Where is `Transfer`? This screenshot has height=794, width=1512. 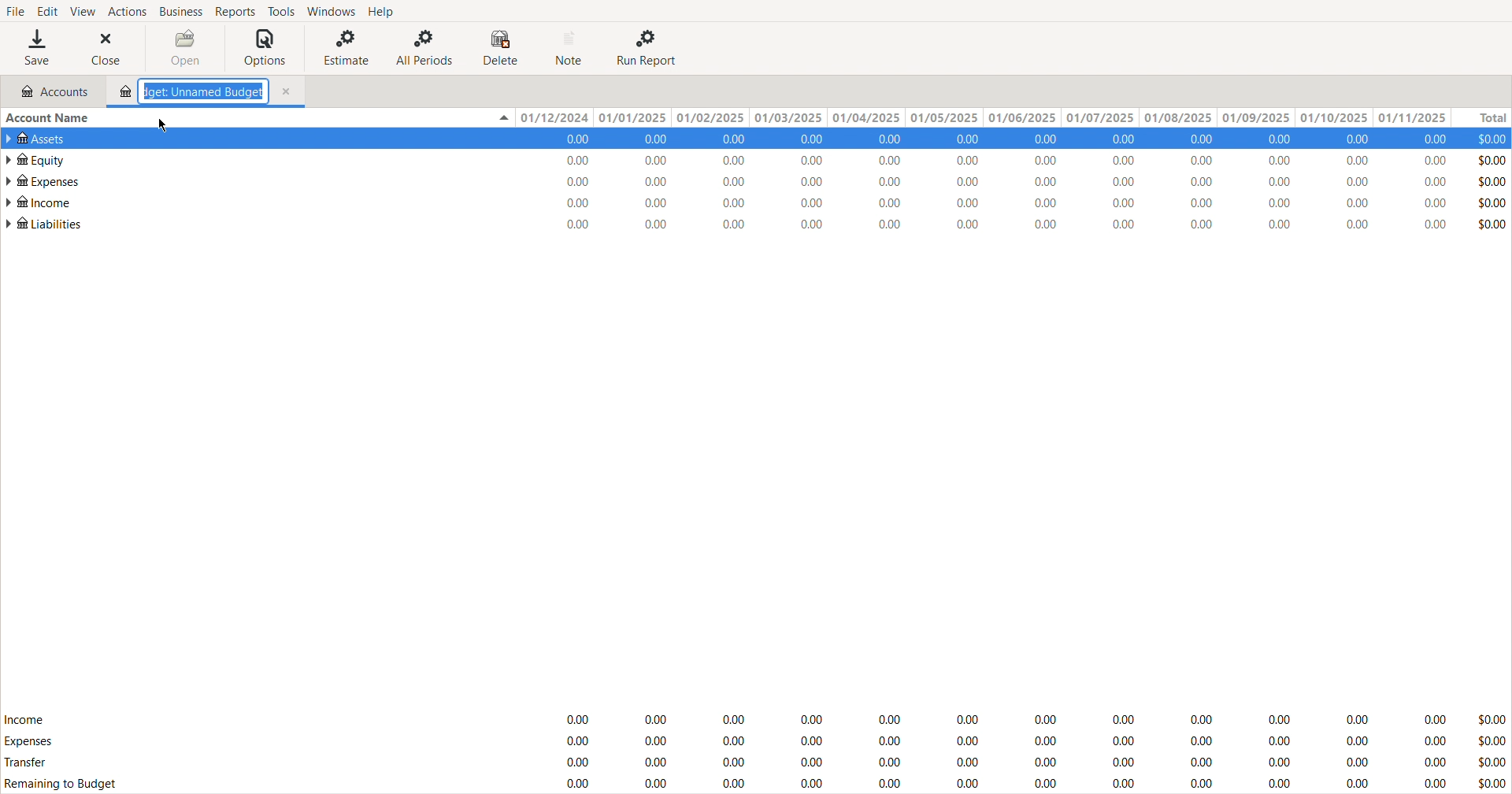
Transfer is located at coordinates (28, 764).